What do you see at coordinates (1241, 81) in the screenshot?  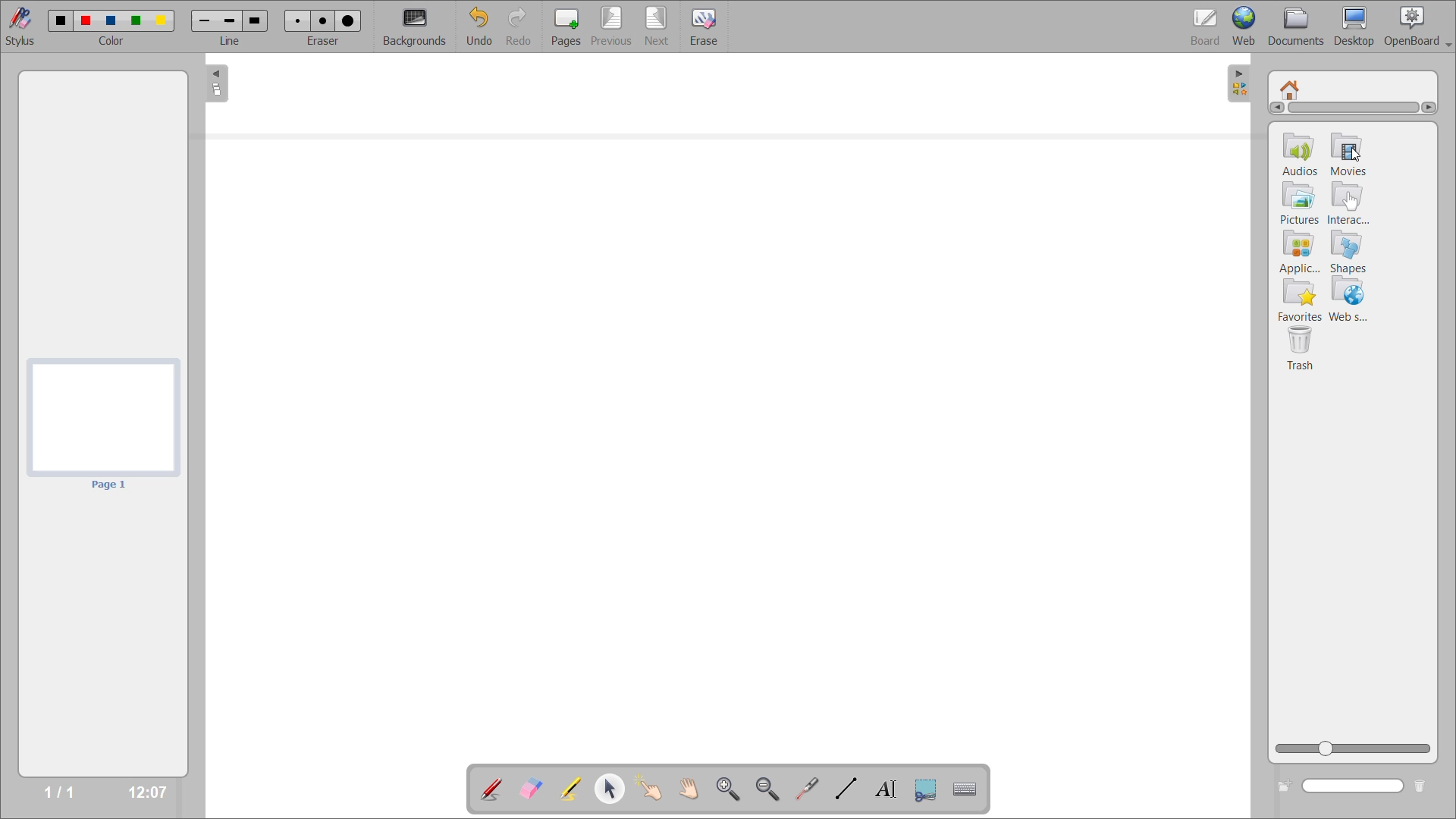 I see `collapse` at bounding box center [1241, 81].